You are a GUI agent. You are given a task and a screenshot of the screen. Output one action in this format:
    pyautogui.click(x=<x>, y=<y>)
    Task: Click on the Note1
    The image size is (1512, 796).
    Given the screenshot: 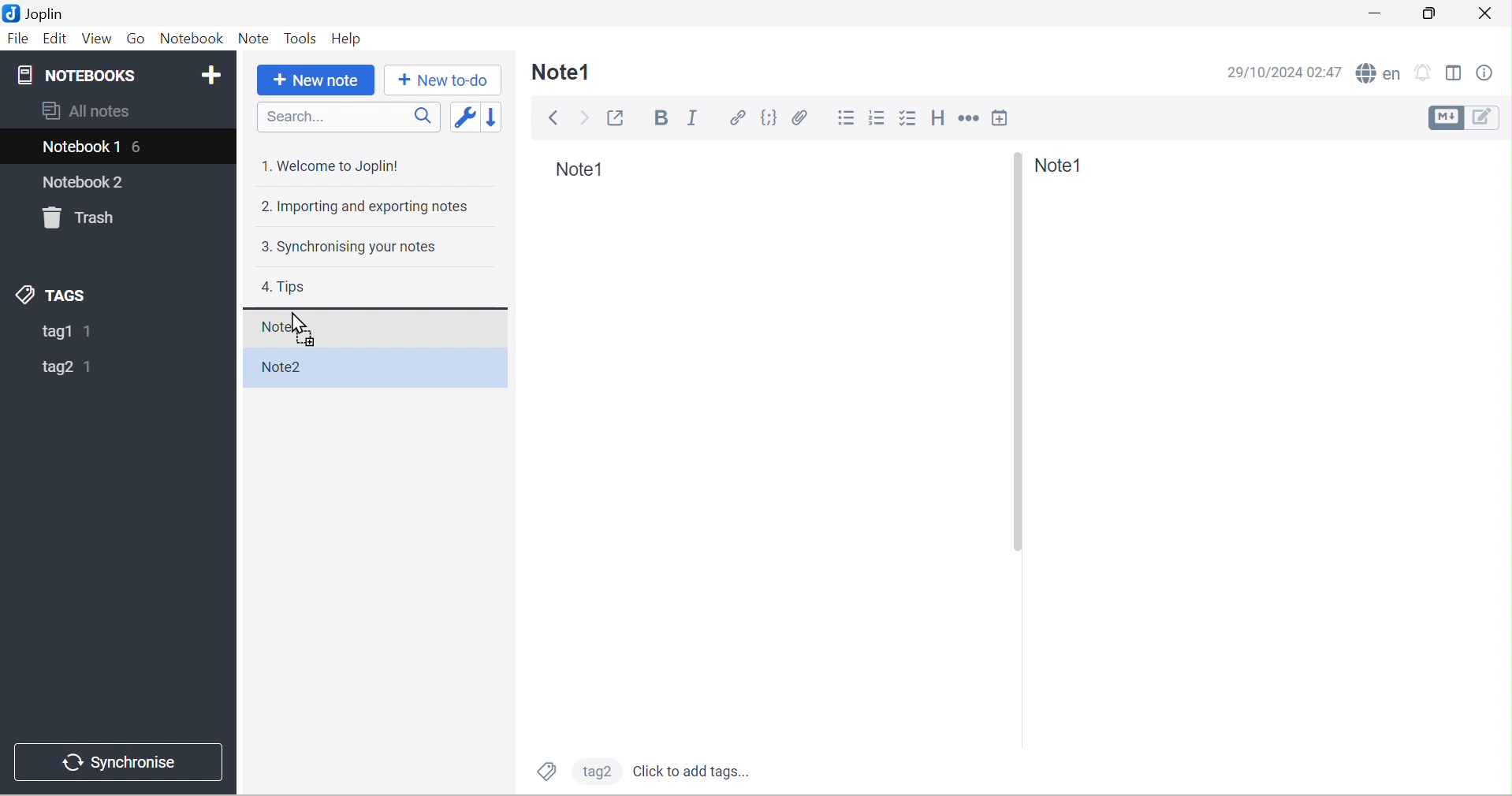 What is the action you would take?
    pyautogui.click(x=1062, y=168)
    